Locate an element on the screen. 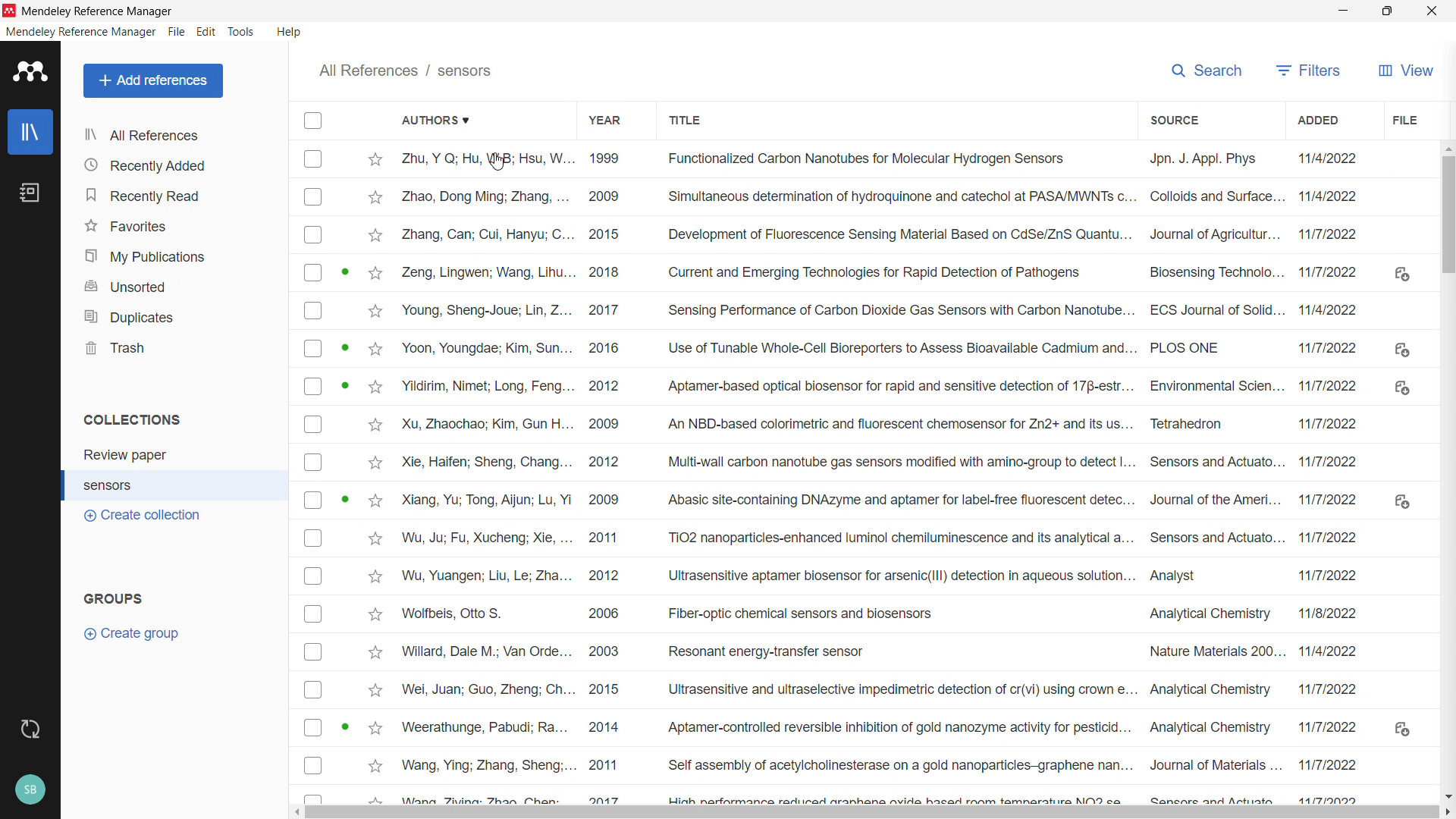 This screenshot has width=1456, height=819. All references/ Sensors  is located at coordinates (405, 69).